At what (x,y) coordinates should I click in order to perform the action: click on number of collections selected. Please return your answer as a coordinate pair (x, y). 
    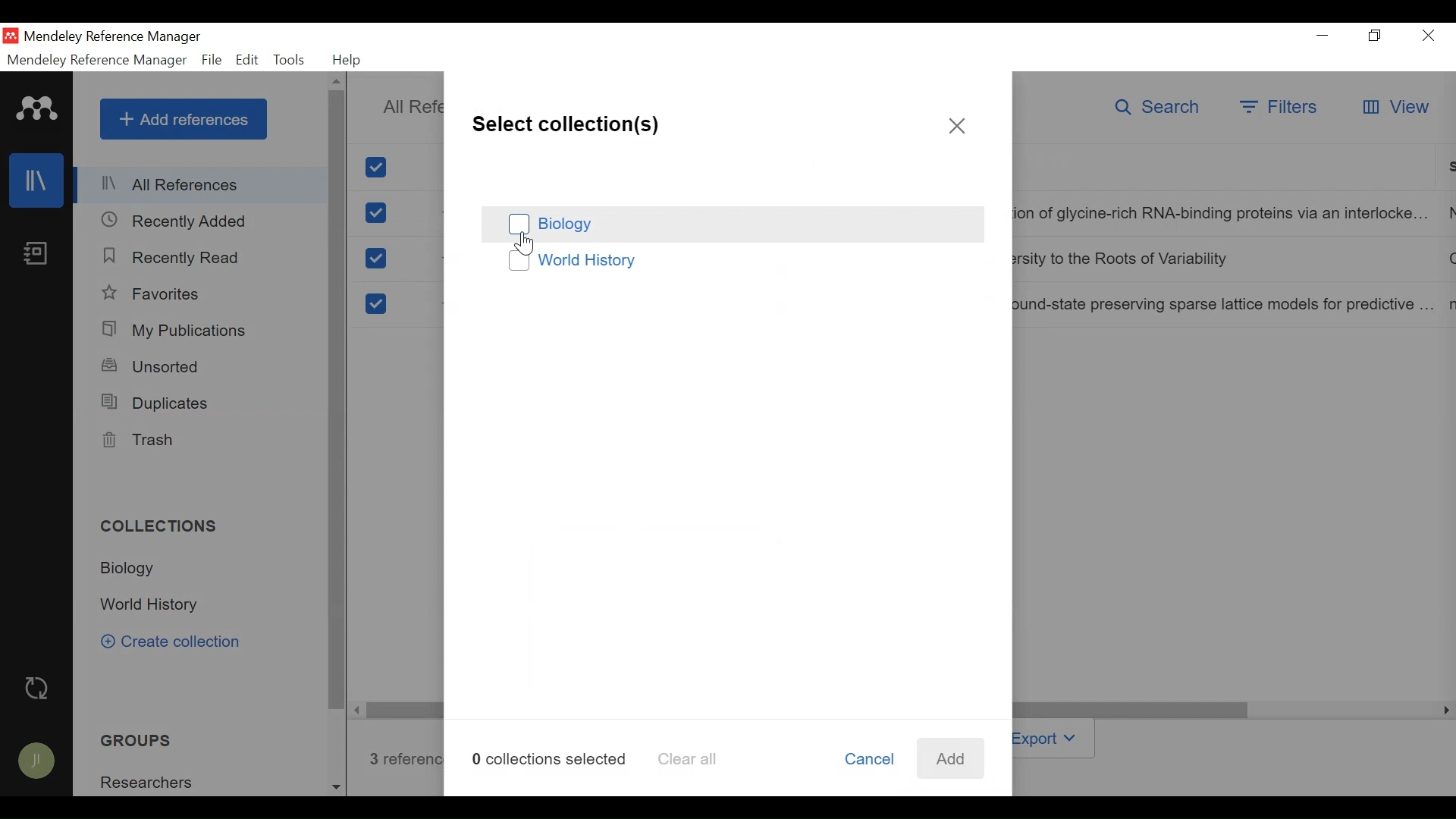
    Looking at the image, I should click on (549, 758).